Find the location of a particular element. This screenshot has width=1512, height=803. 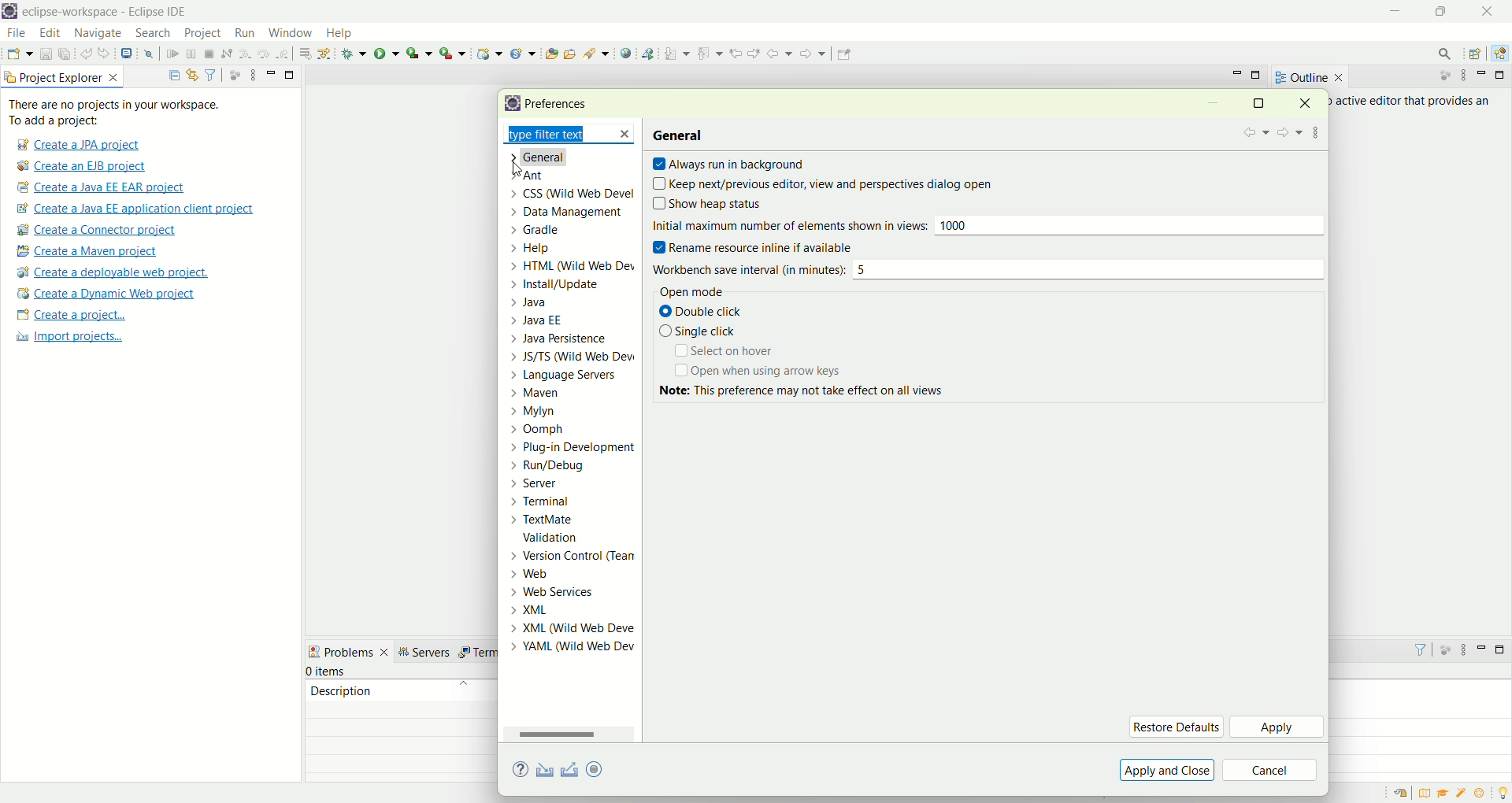

maximize is located at coordinates (1503, 649).